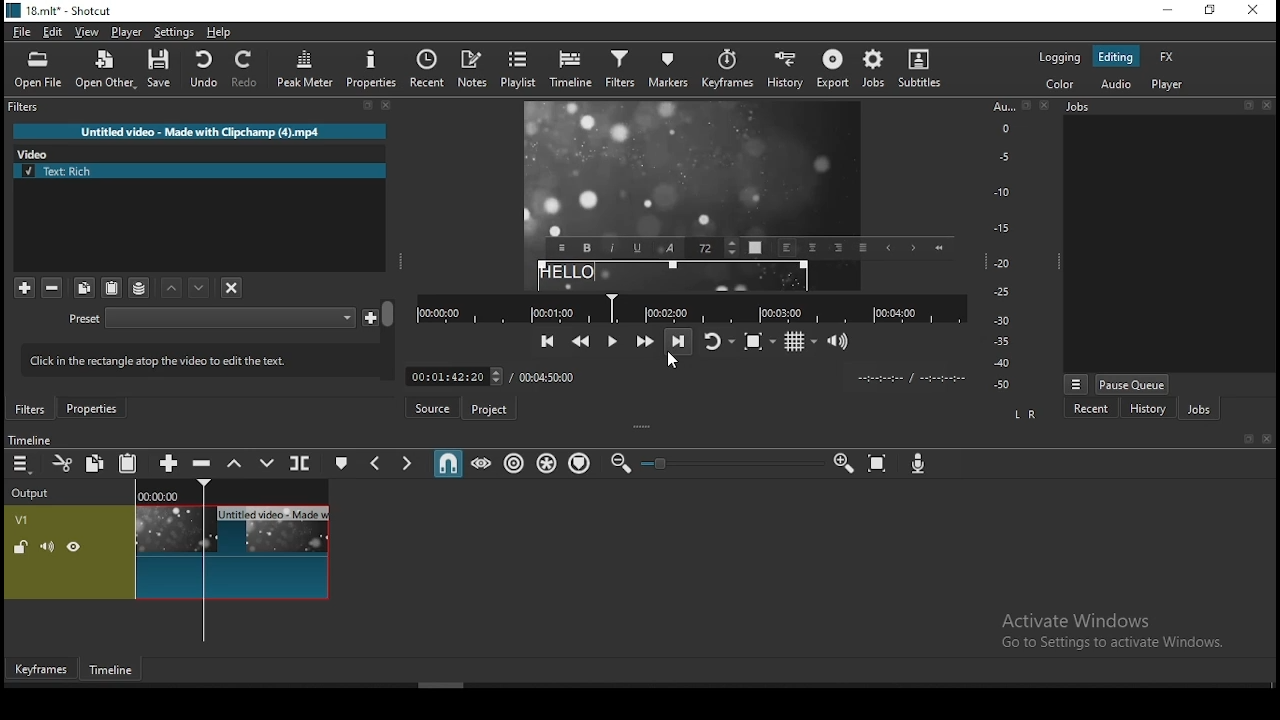 This screenshot has height=720, width=1280. Describe the element at coordinates (813, 248) in the screenshot. I see `Center Align` at that location.